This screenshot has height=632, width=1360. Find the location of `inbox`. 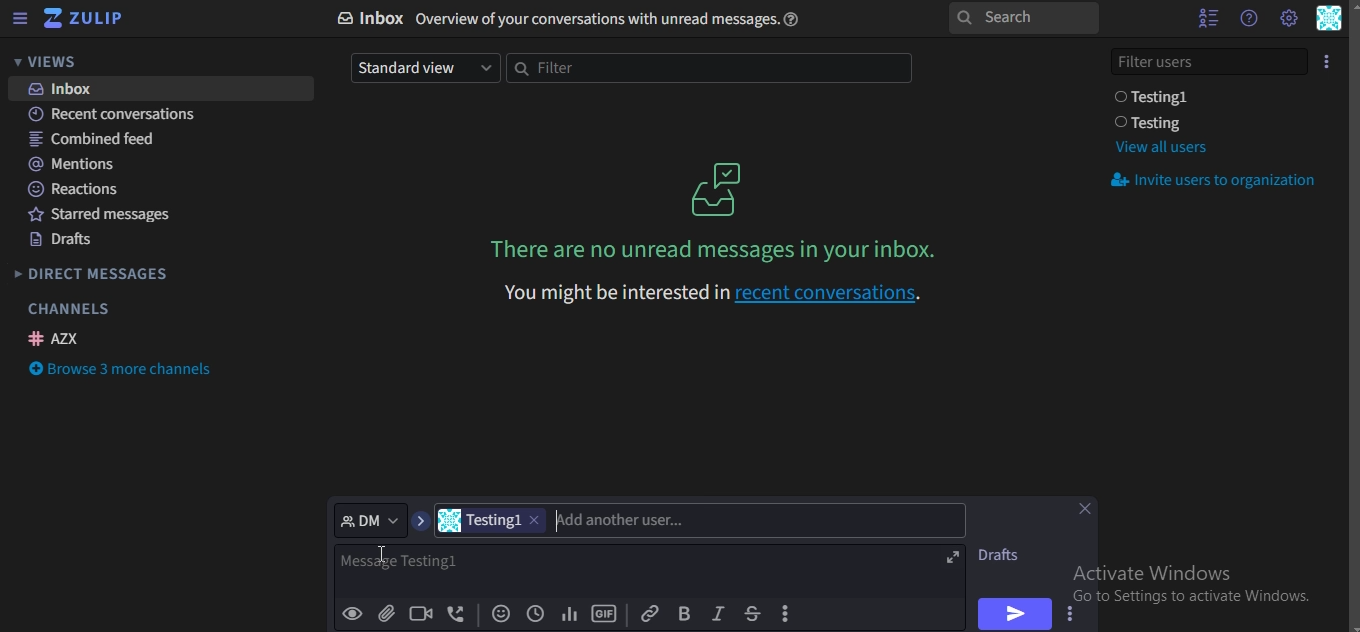

inbox is located at coordinates (67, 89).